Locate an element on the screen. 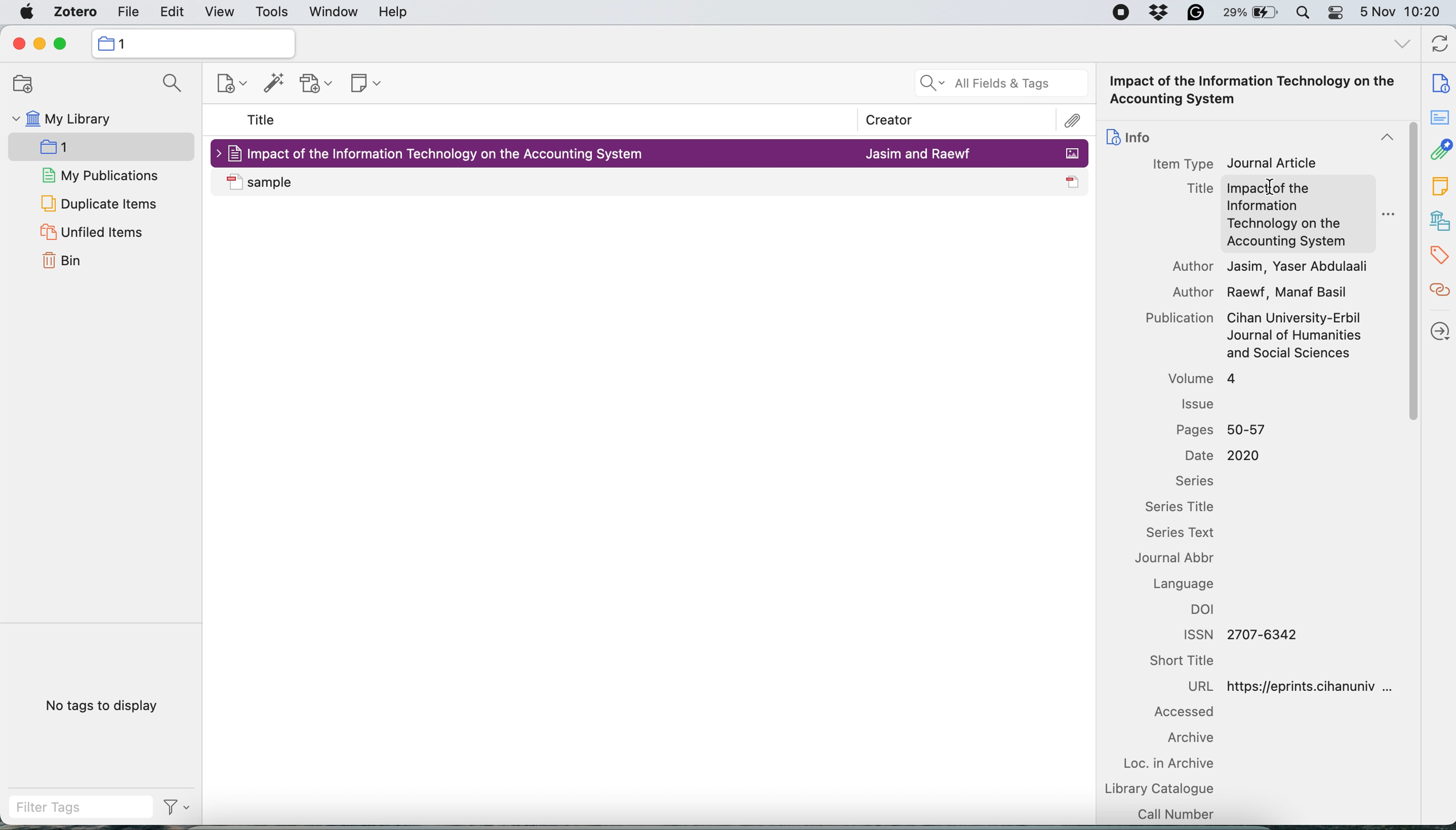 The image size is (1456, 830). title is located at coordinates (262, 122).